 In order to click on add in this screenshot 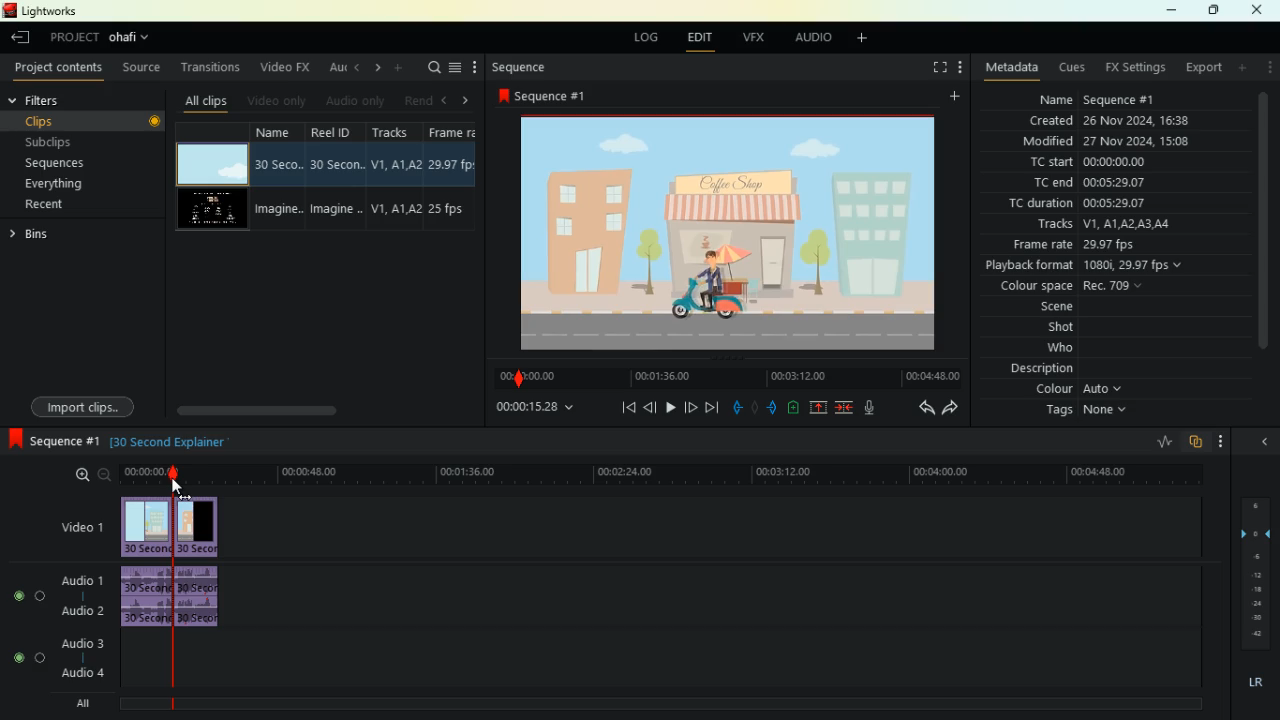, I will do `click(1239, 67)`.